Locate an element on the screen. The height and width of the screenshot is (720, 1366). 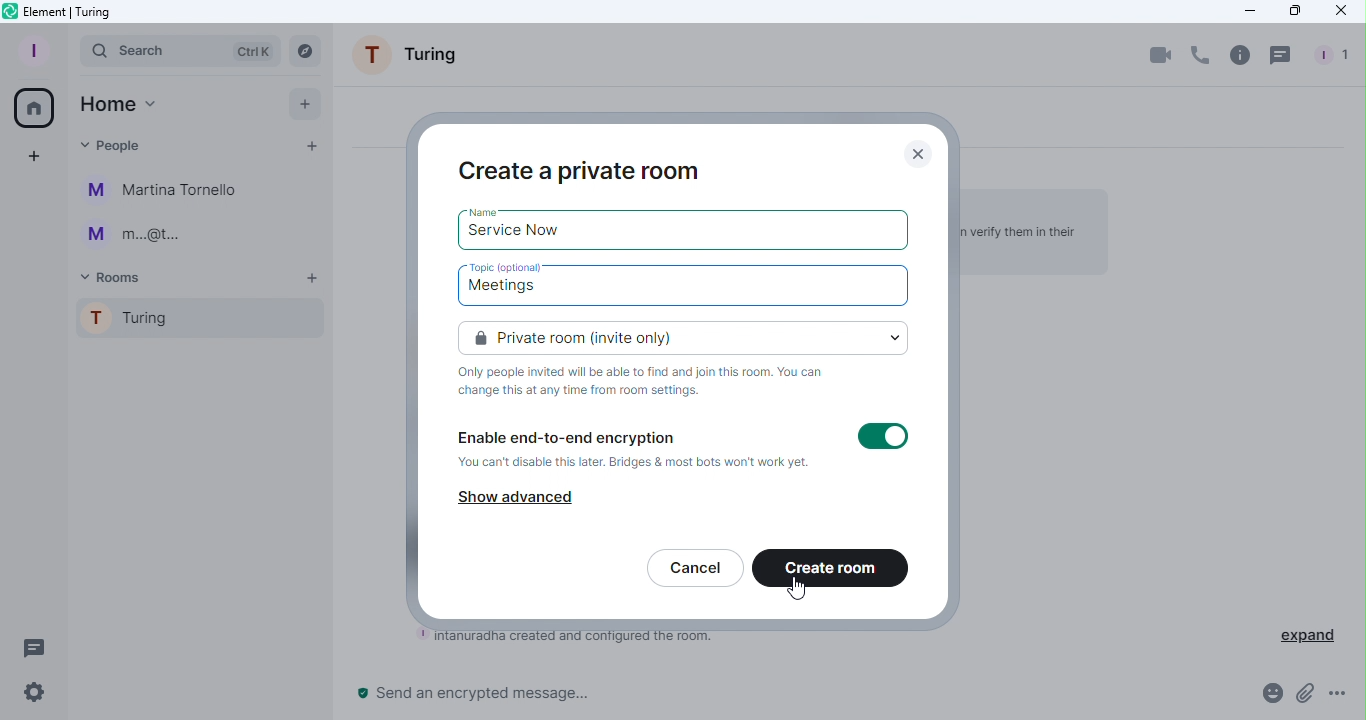
Video call is located at coordinates (1161, 54).